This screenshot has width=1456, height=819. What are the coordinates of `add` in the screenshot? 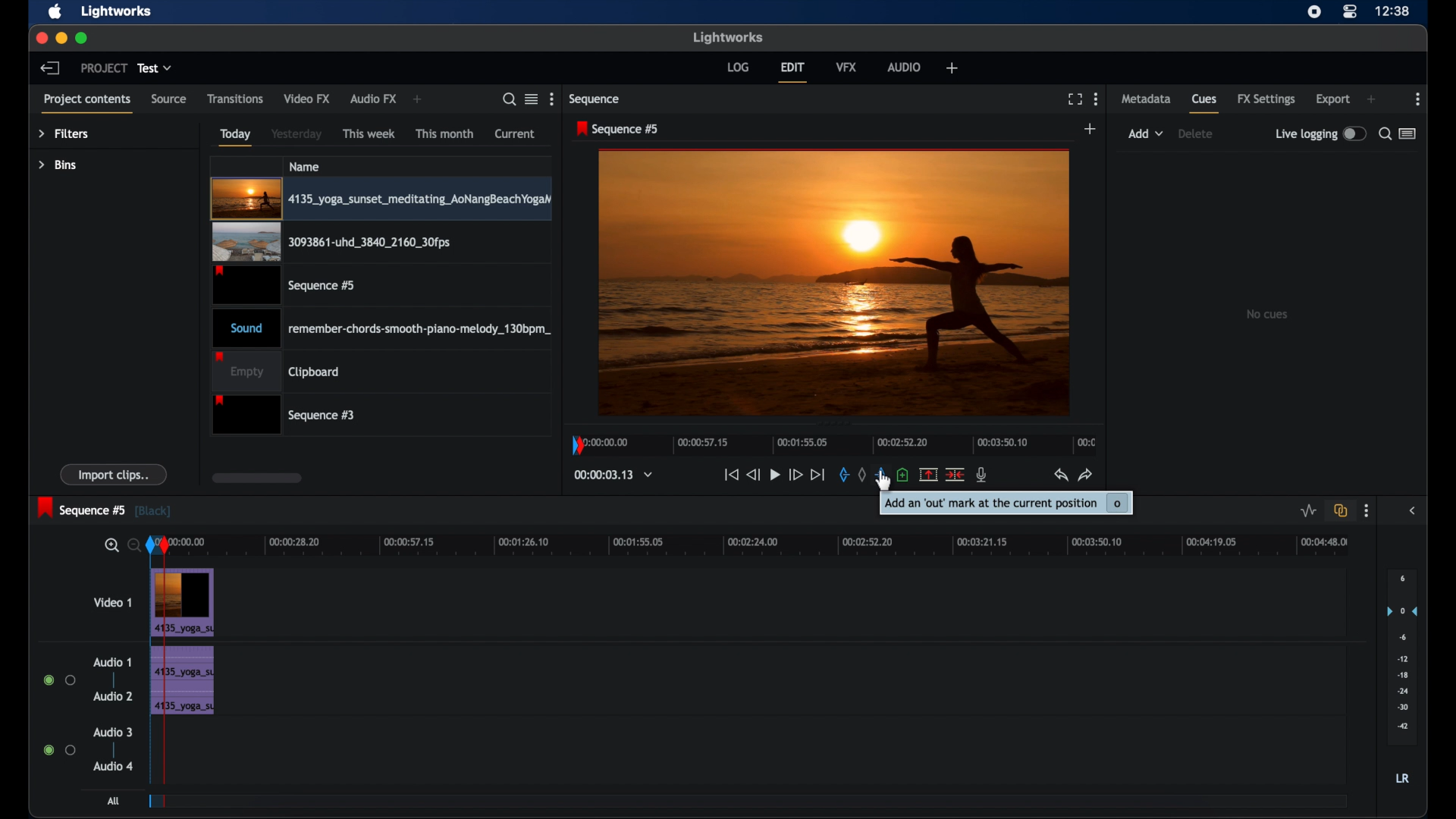 It's located at (1091, 128).